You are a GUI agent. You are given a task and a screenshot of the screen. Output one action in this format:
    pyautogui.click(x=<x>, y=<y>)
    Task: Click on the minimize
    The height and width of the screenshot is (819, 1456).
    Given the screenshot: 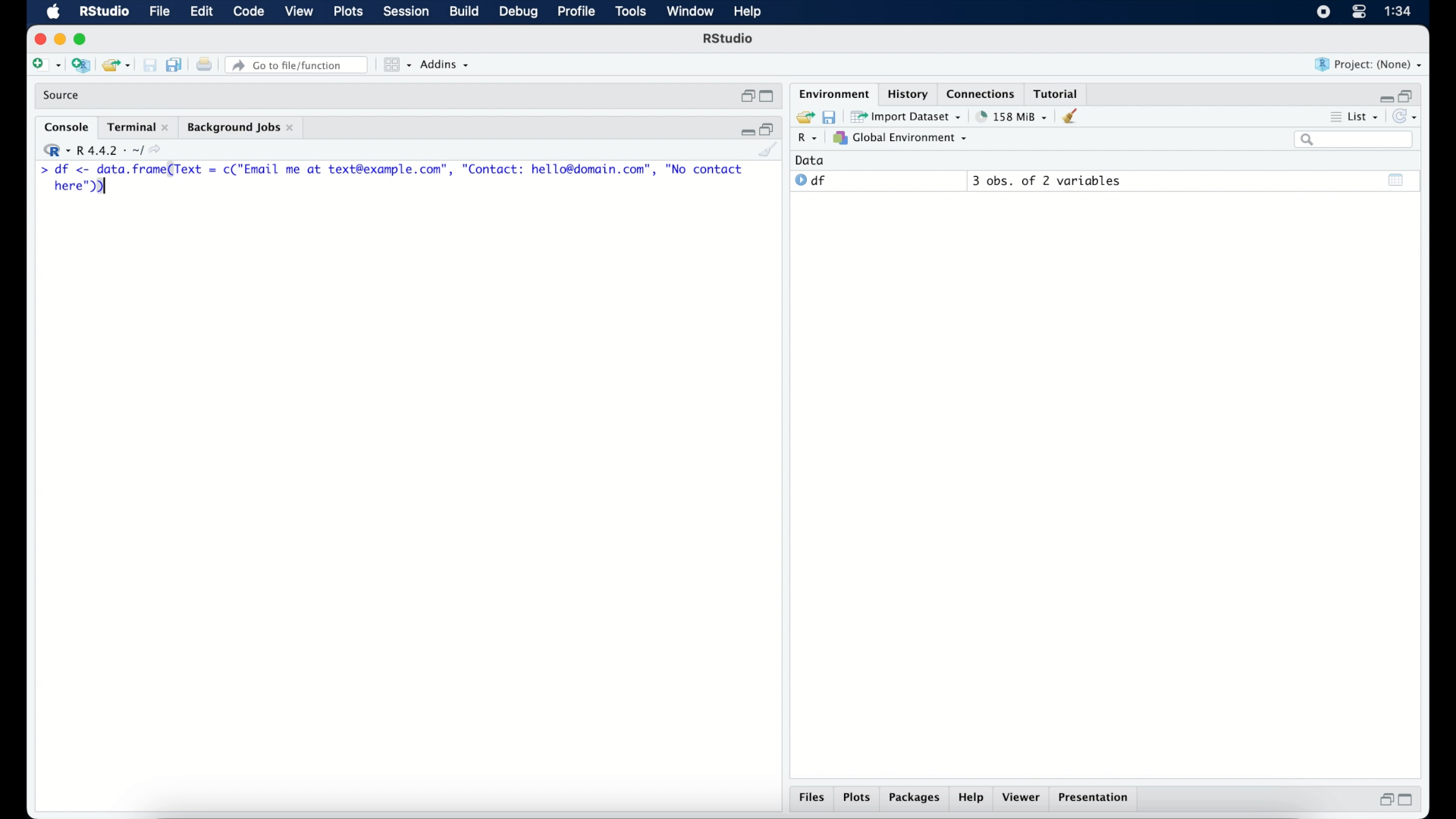 What is the action you would take?
    pyautogui.click(x=59, y=40)
    